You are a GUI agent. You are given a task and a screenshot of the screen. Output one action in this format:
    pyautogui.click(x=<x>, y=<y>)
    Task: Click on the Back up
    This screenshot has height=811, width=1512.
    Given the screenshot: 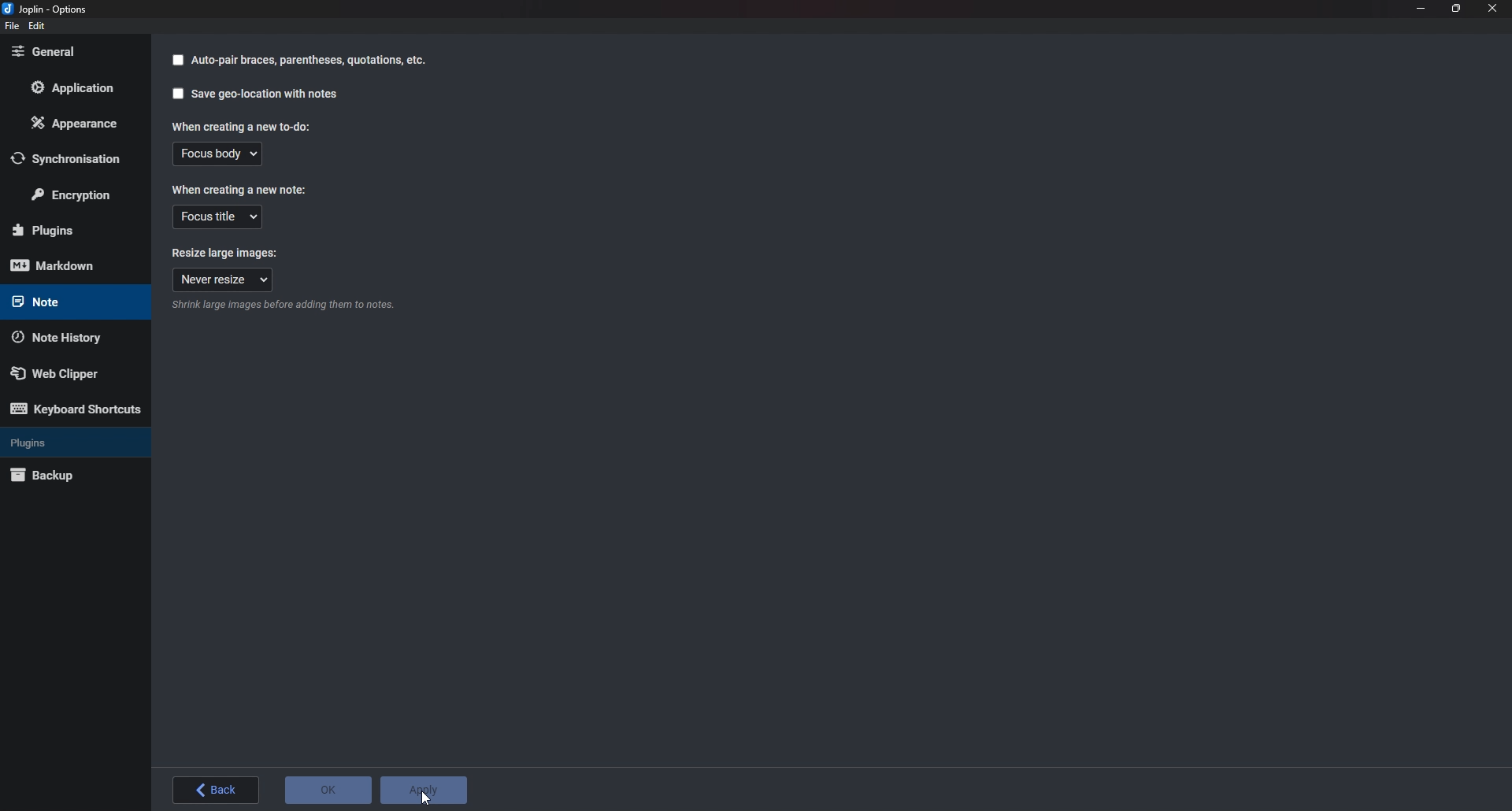 What is the action you would take?
    pyautogui.click(x=71, y=475)
    